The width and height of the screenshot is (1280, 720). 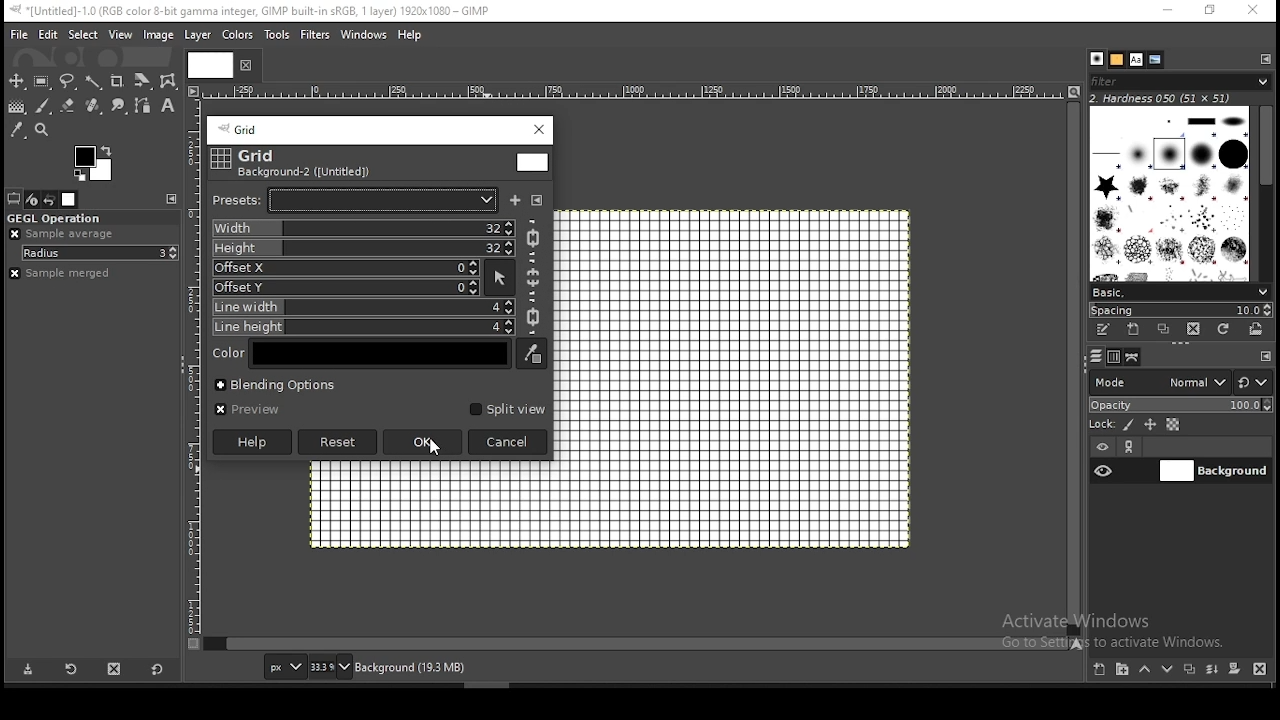 What do you see at coordinates (434, 449) in the screenshot?
I see `mouse pointer` at bounding box center [434, 449].